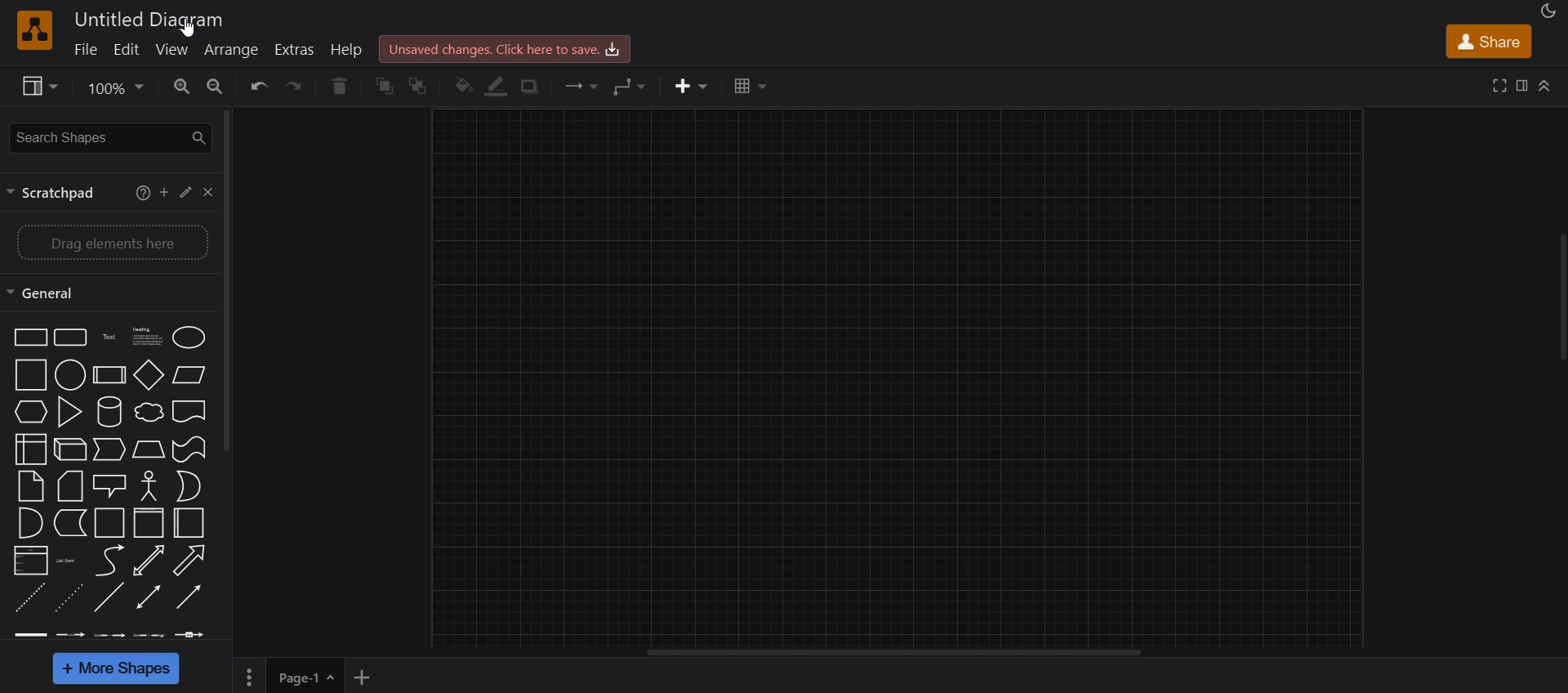  Describe the element at coordinates (163, 192) in the screenshot. I see `add` at that location.